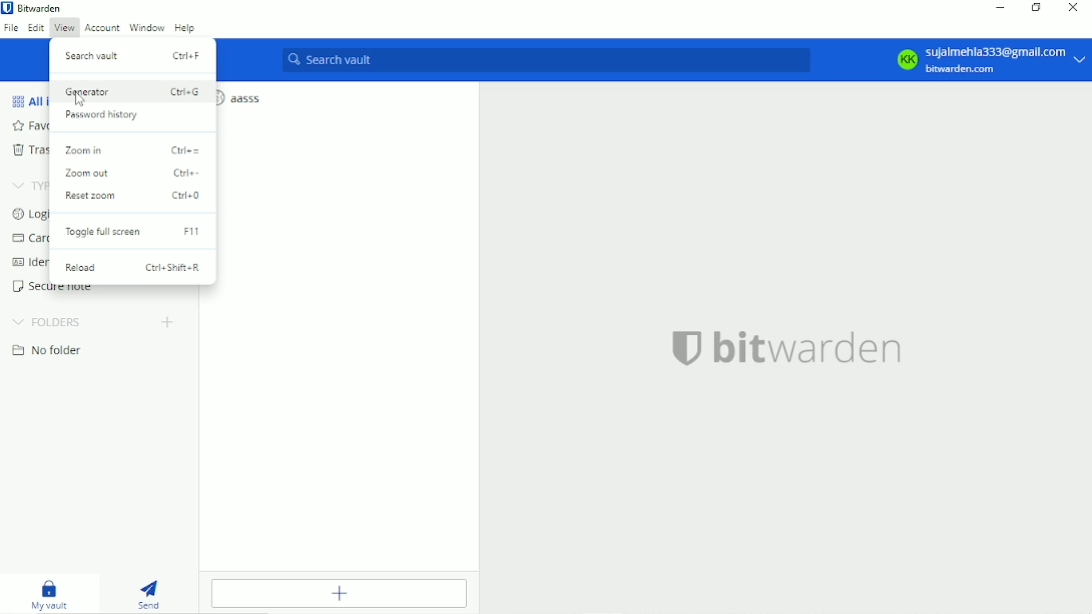  I want to click on Folders, so click(47, 320).